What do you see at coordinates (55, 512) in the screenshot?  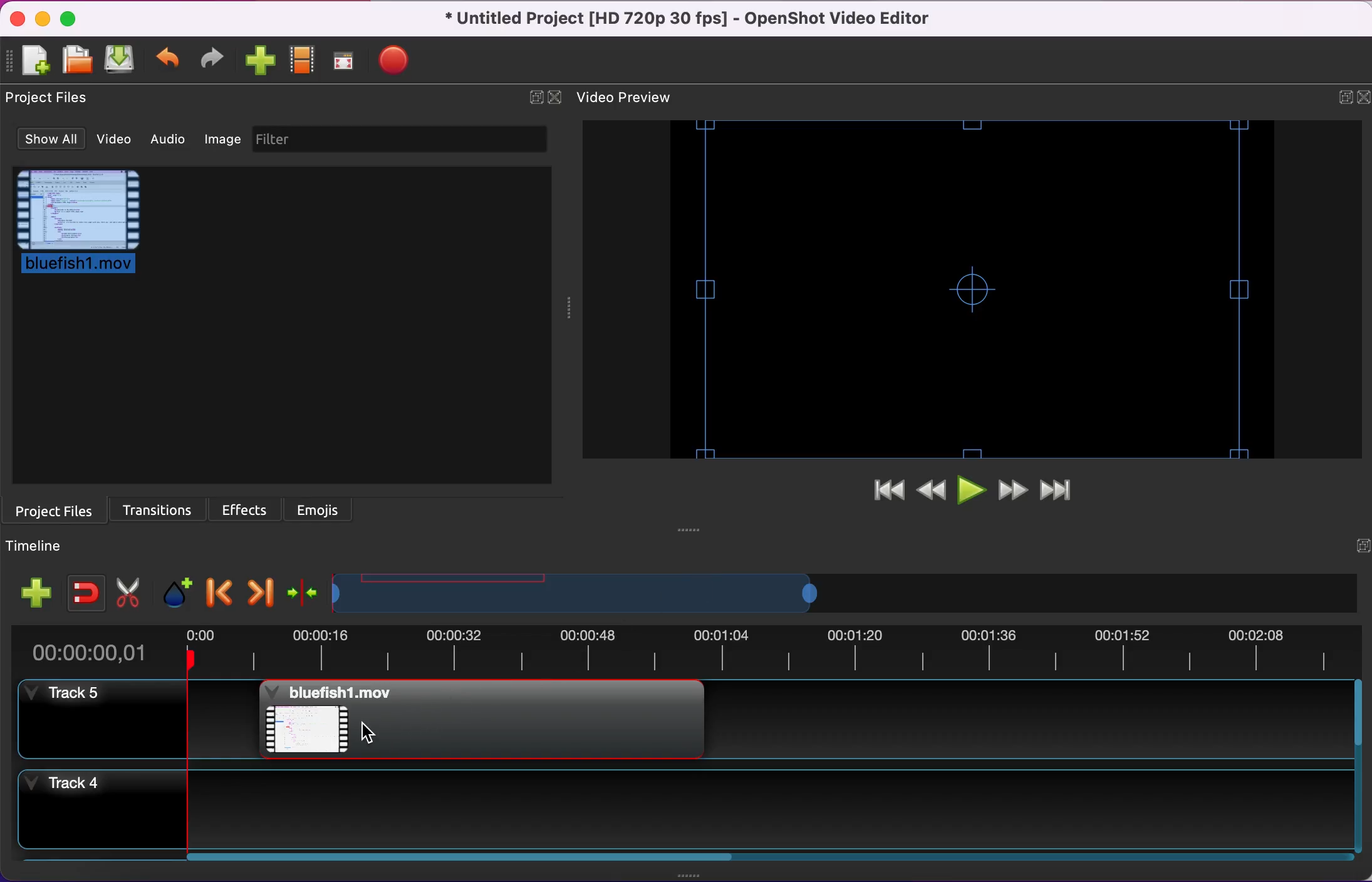 I see `project files` at bounding box center [55, 512].